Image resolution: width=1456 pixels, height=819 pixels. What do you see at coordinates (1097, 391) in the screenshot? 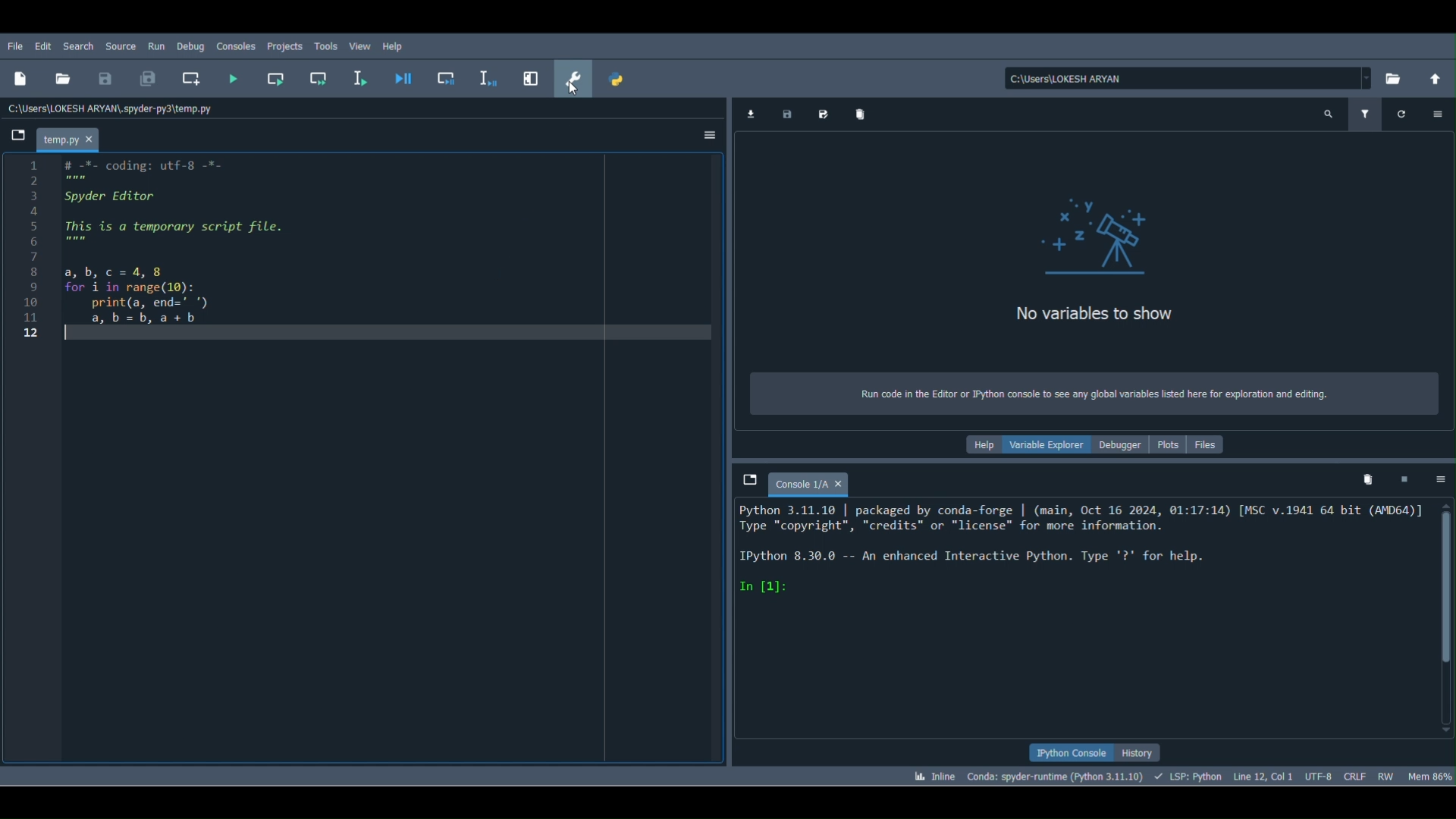
I see `Text` at bounding box center [1097, 391].